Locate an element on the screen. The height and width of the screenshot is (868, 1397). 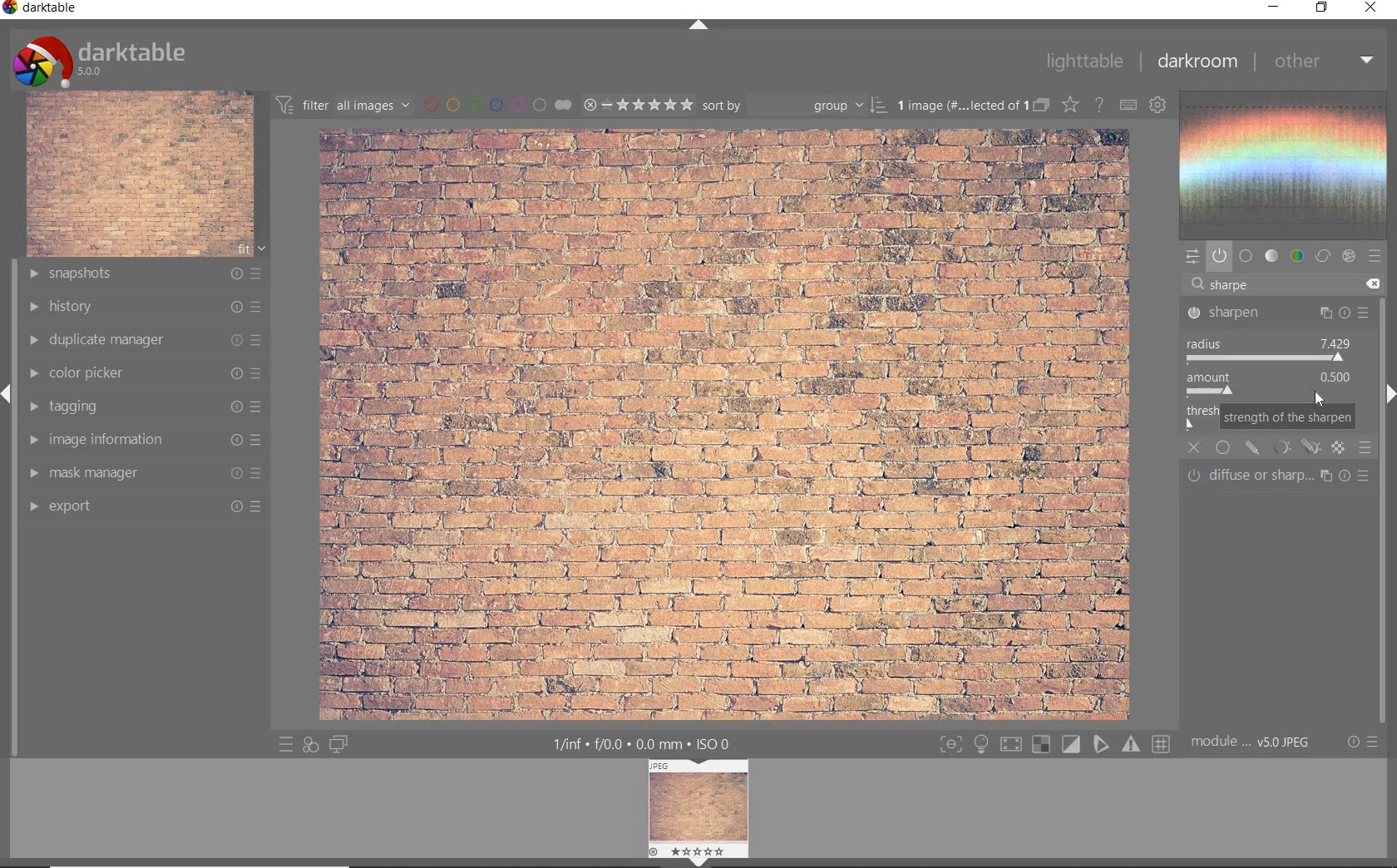
preset is located at coordinates (1375, 256).